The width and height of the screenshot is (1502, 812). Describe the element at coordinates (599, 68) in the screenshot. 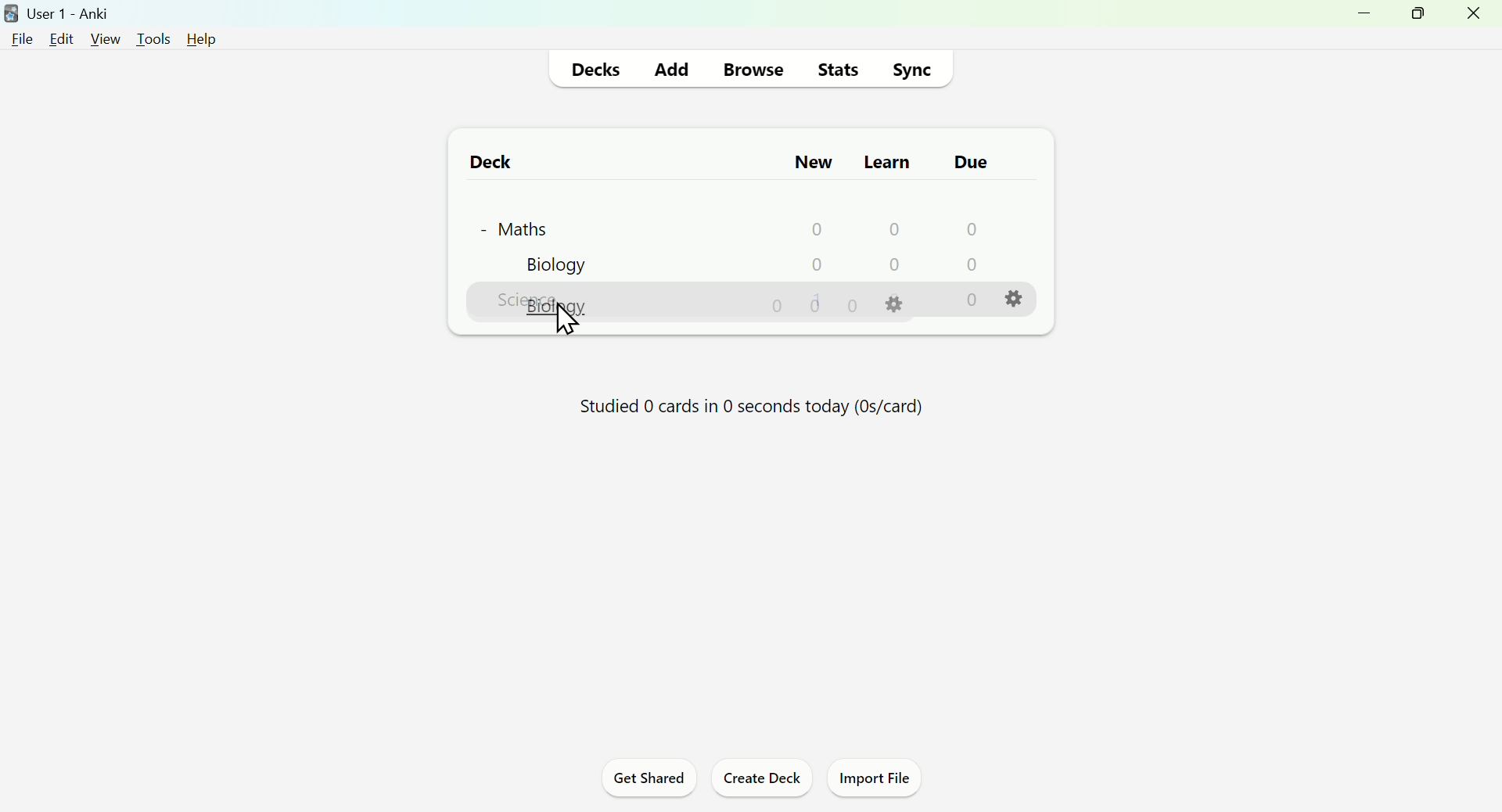

I see `Decks` at that location.